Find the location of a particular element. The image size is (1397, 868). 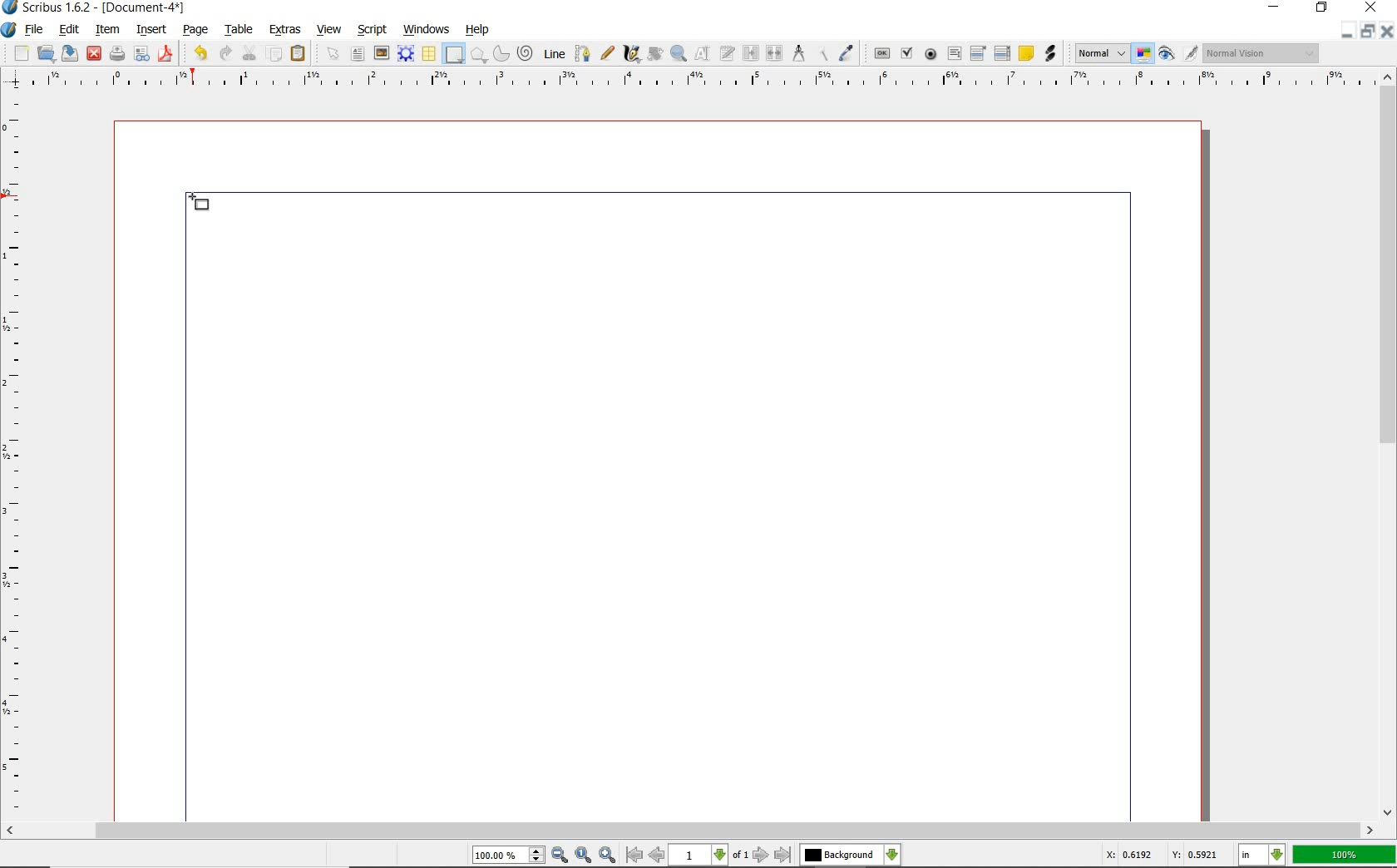

file is located at coordinates (36, 31).